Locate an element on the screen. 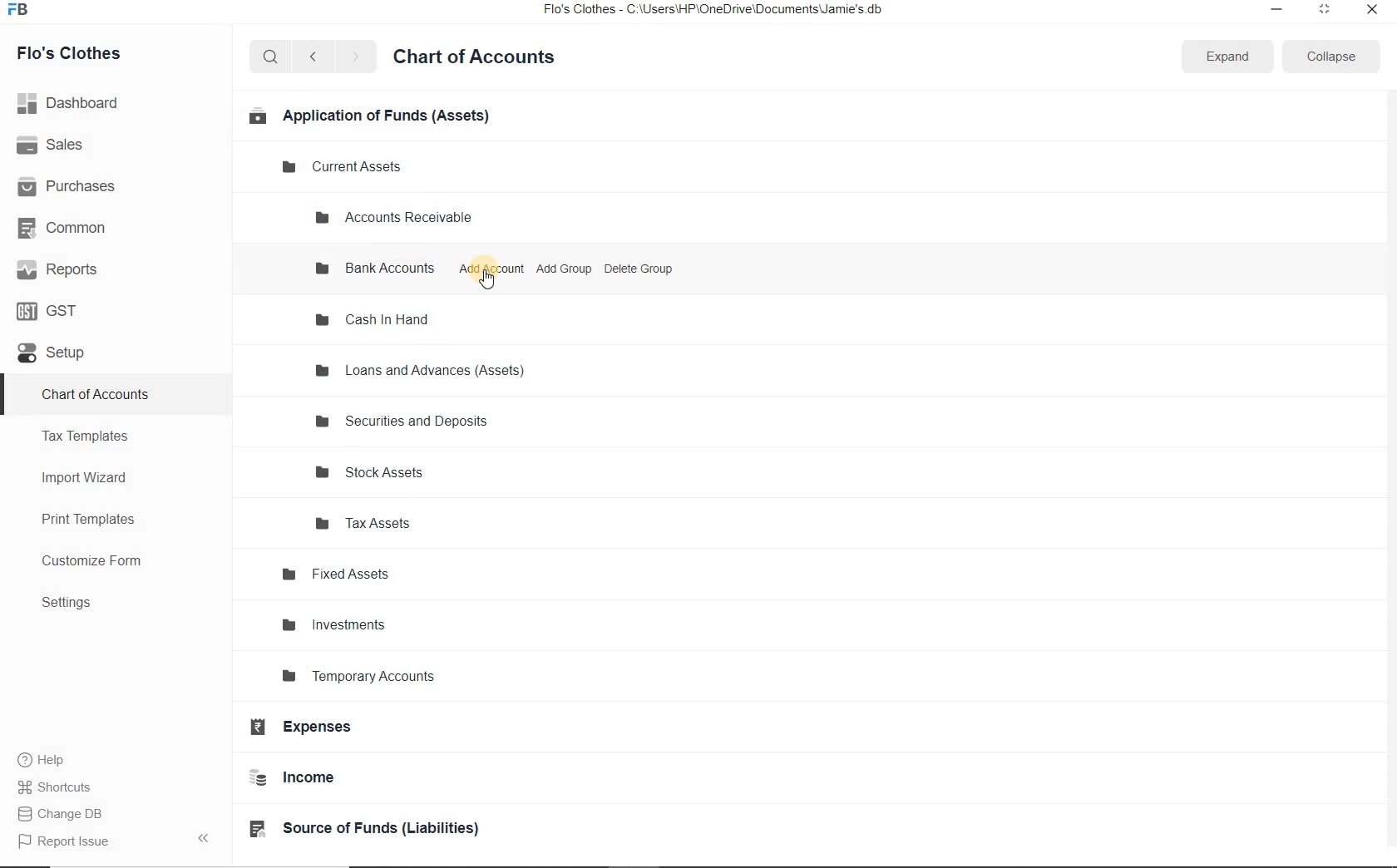  help is located at coordinates (42, 760).